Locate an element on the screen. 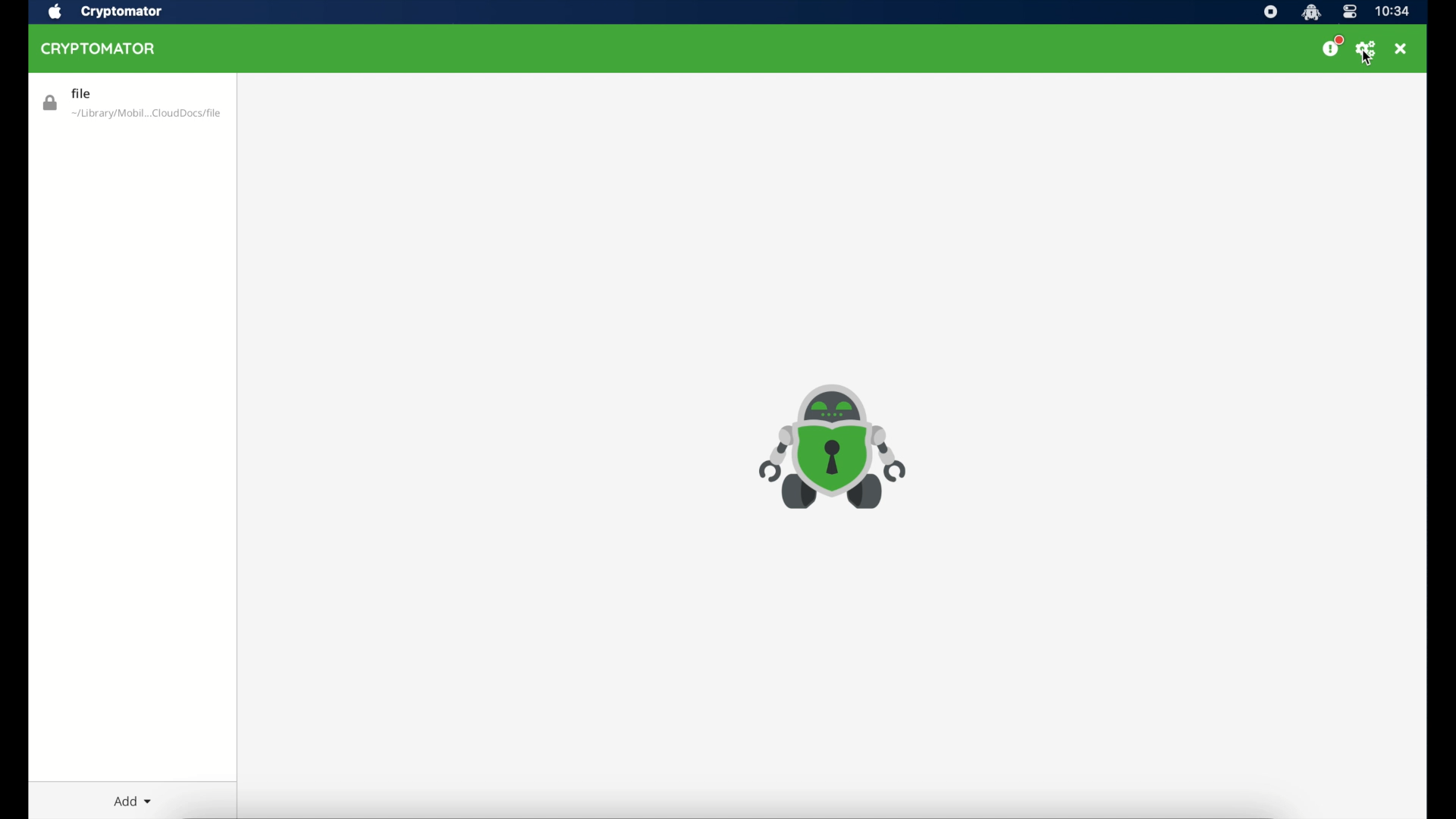 The image size is (1456, 819). donate us is located at coordinates (1332, 48).